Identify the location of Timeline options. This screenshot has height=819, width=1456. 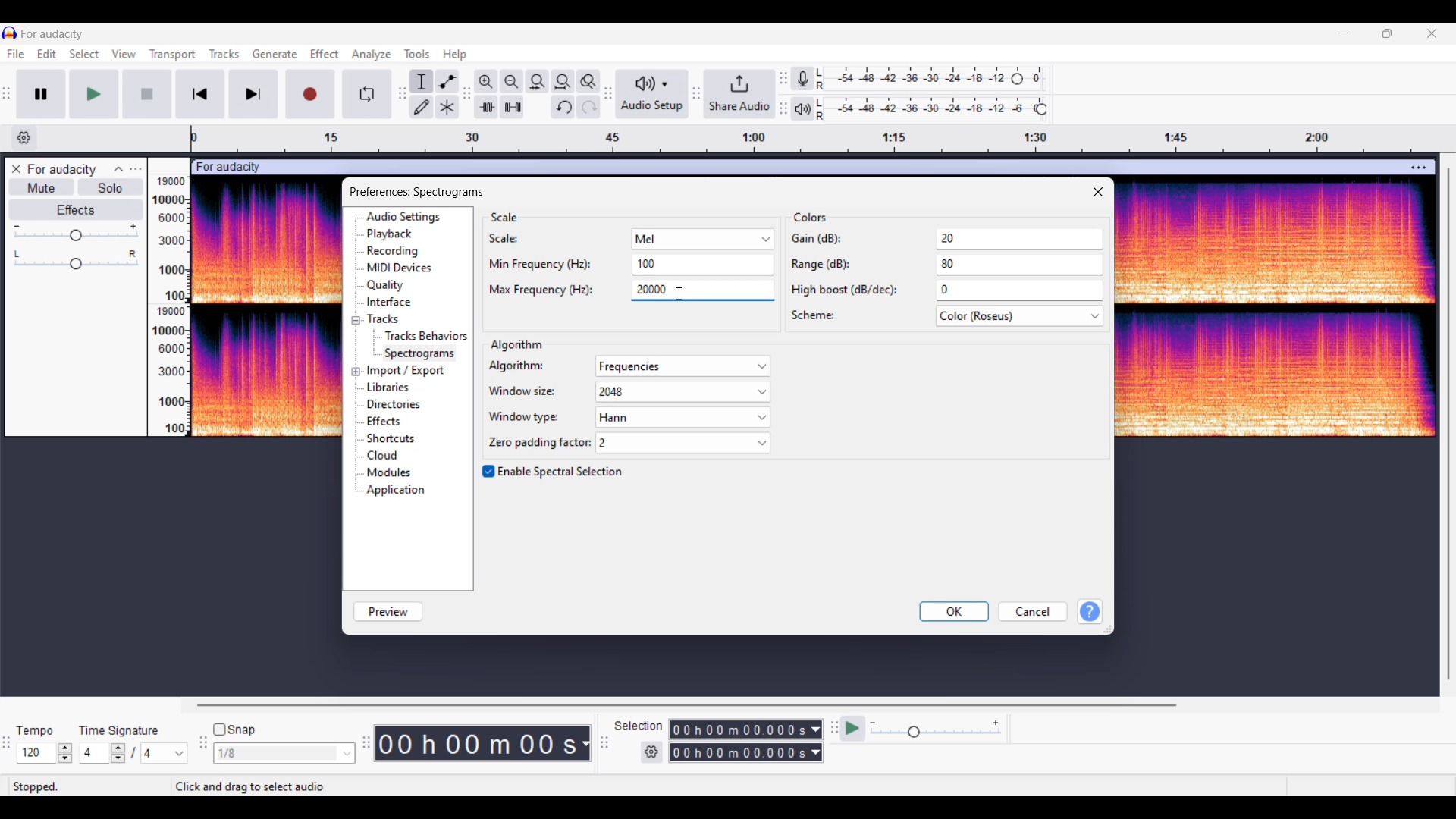
(25, 138).